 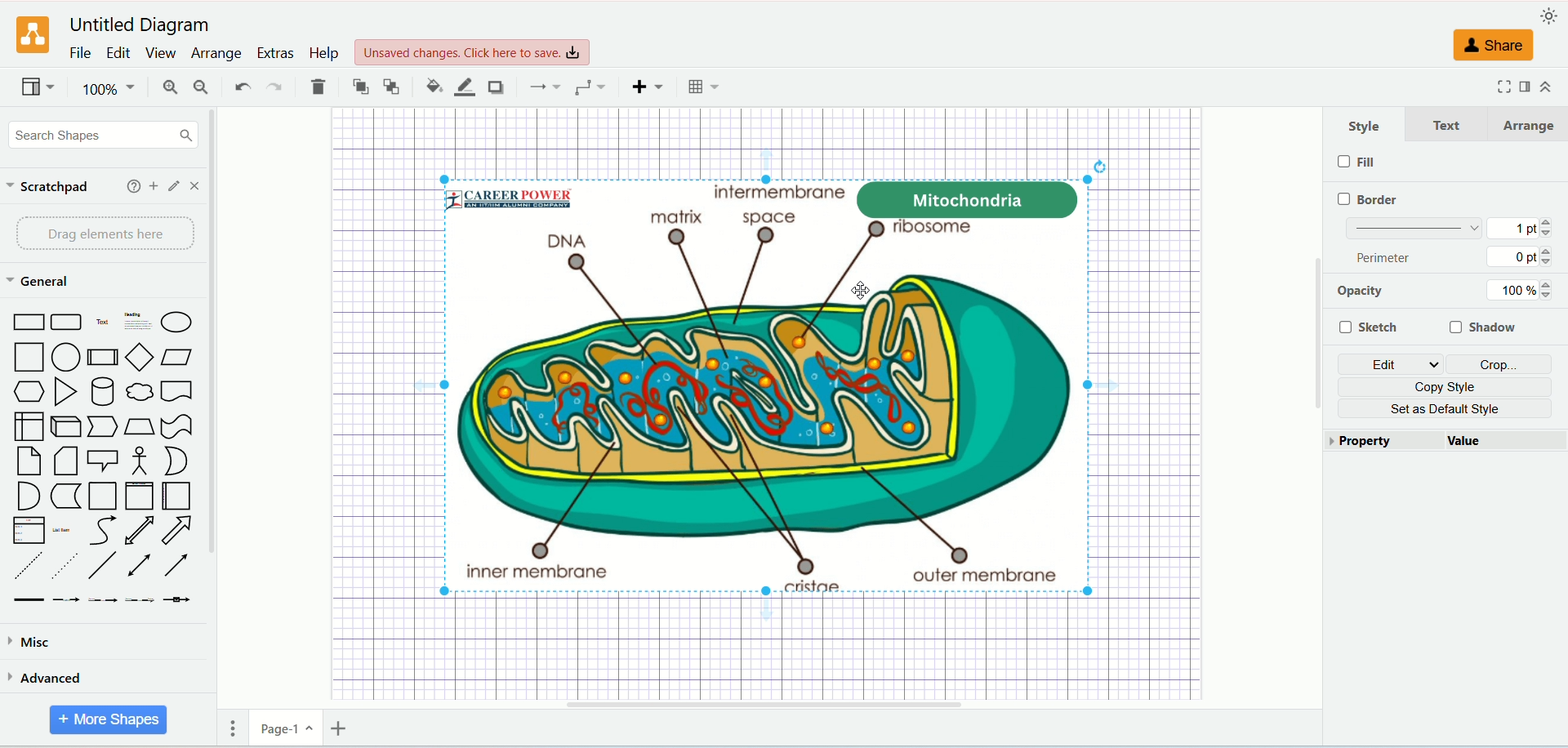 What do you see at coordinates (170, 88) in the screenshot?
I see `zoom in` at bounding box center [170, 88].